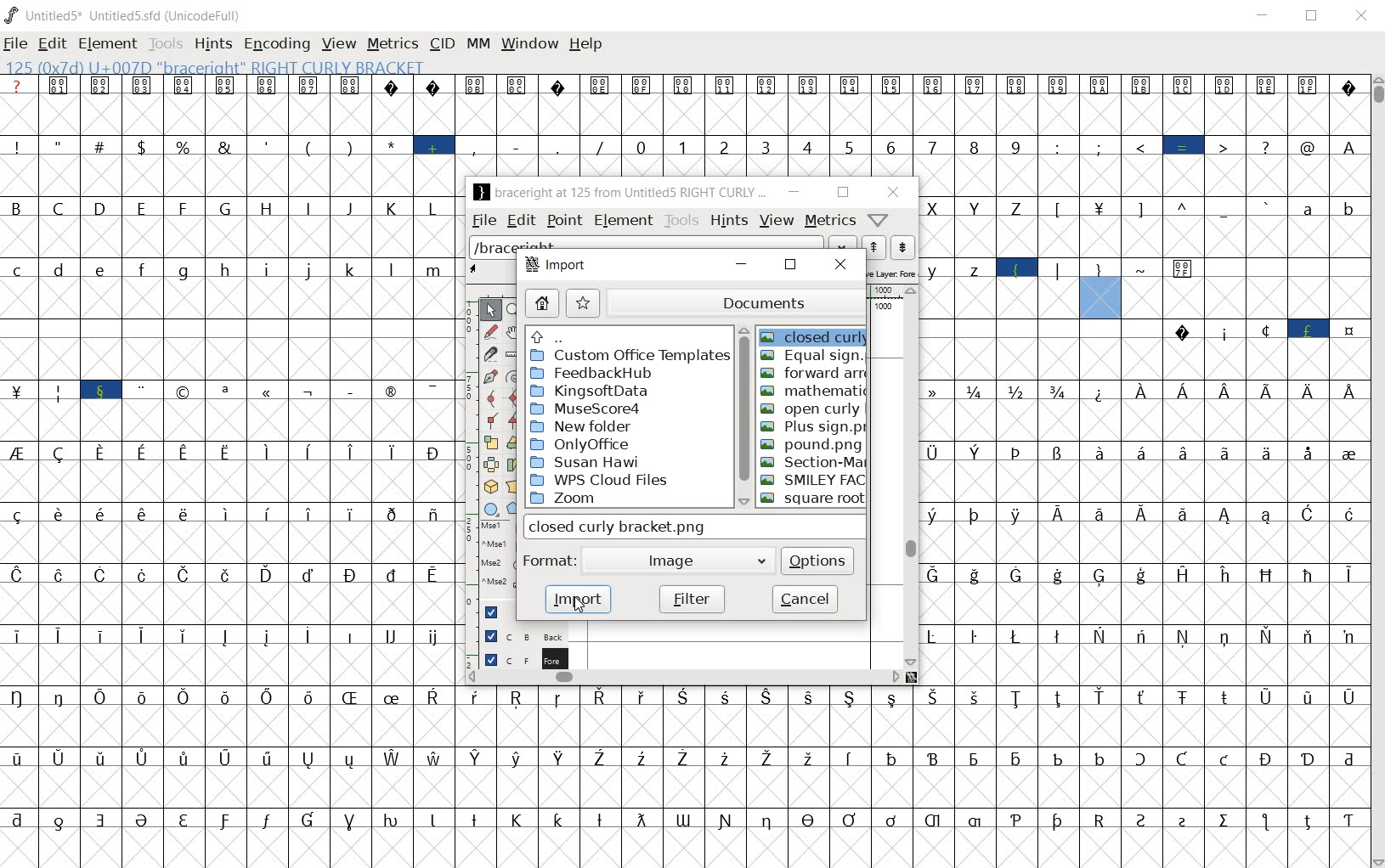 The image size is (1385, 868). What do you see at coordinates (489, 330) in the screenshot?
I see `draw a freehand curve` at bounding box center [489, 330].